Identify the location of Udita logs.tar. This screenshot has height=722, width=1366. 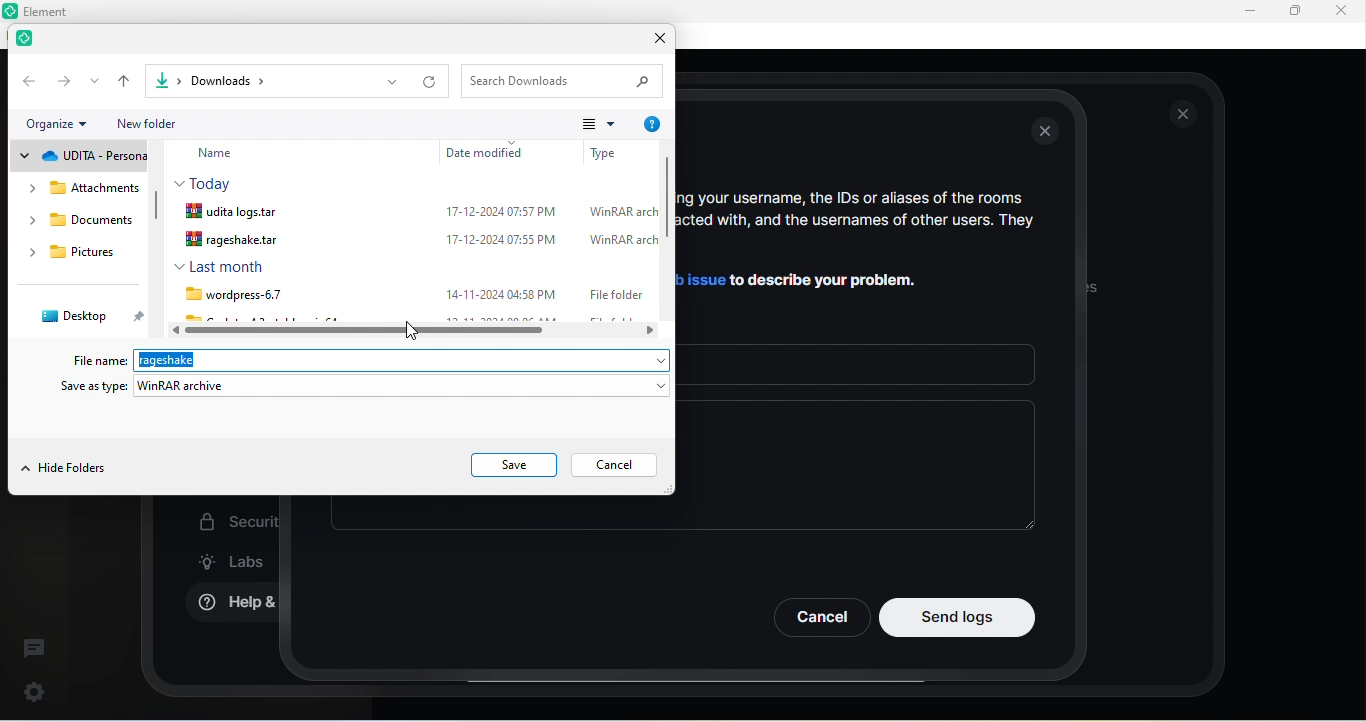
(238, 211).